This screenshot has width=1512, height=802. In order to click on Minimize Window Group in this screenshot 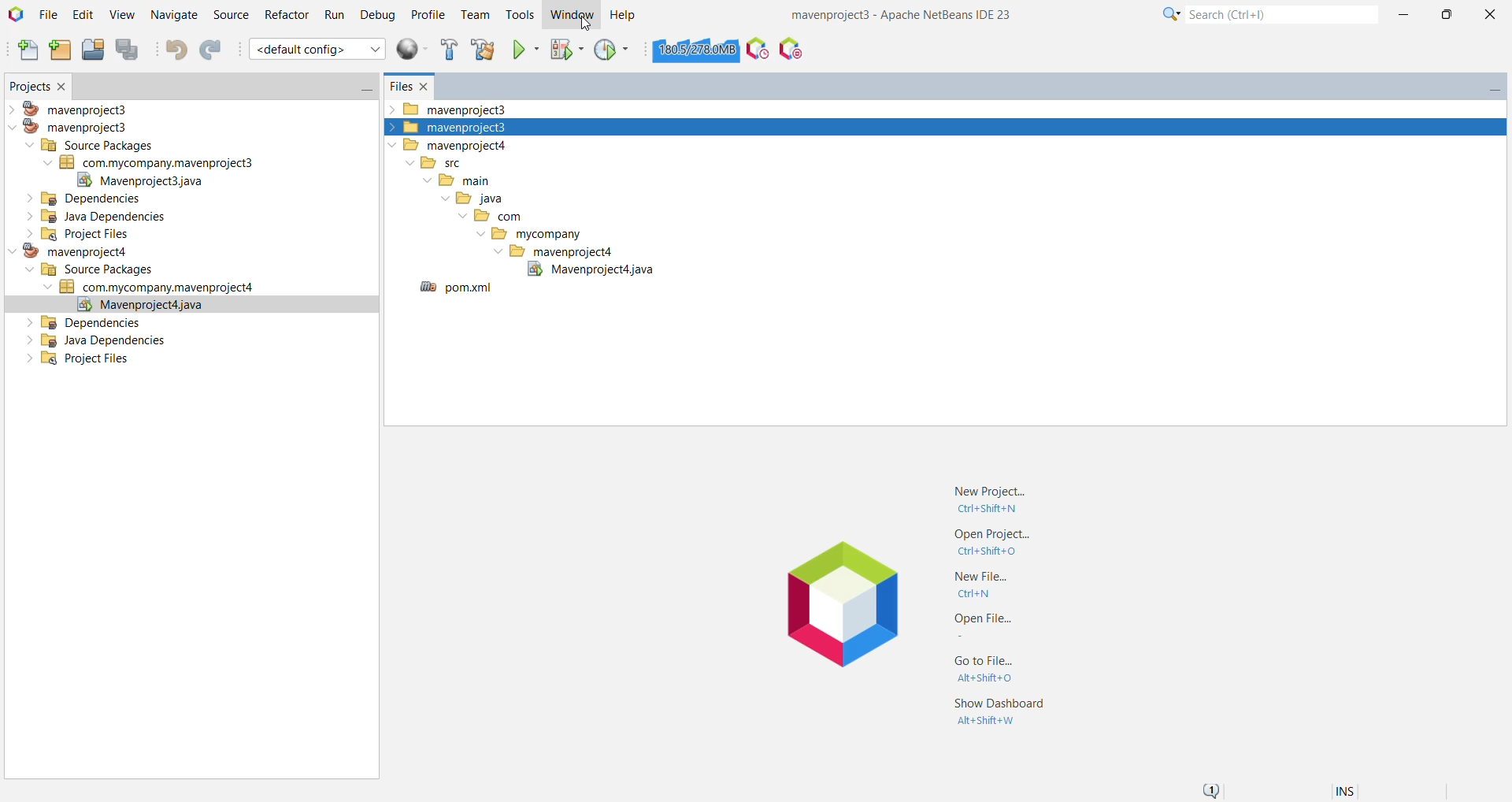, I will do `click(1492, 87)`.